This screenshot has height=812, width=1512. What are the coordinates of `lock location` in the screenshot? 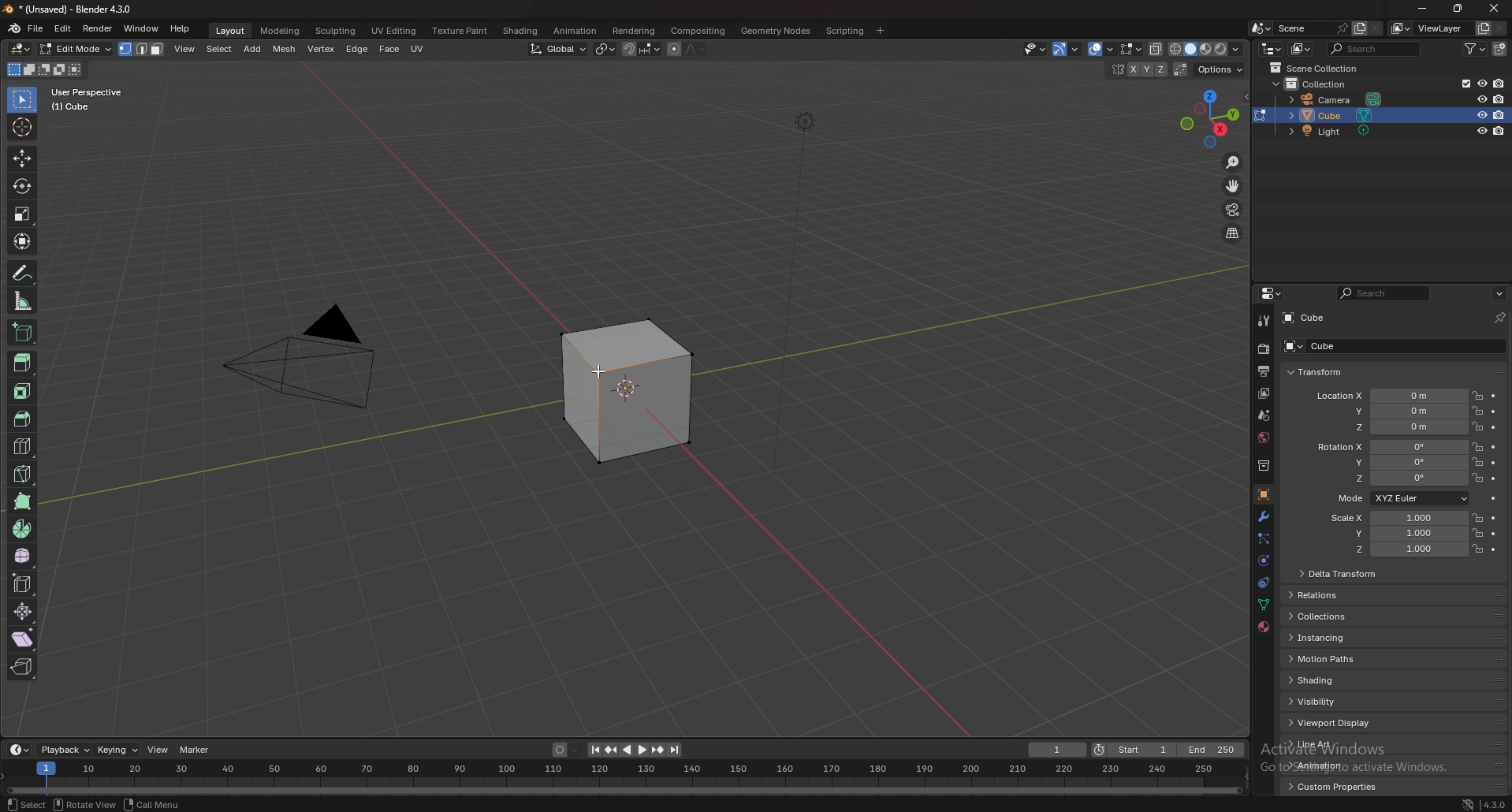 It's located at (1478, 462).